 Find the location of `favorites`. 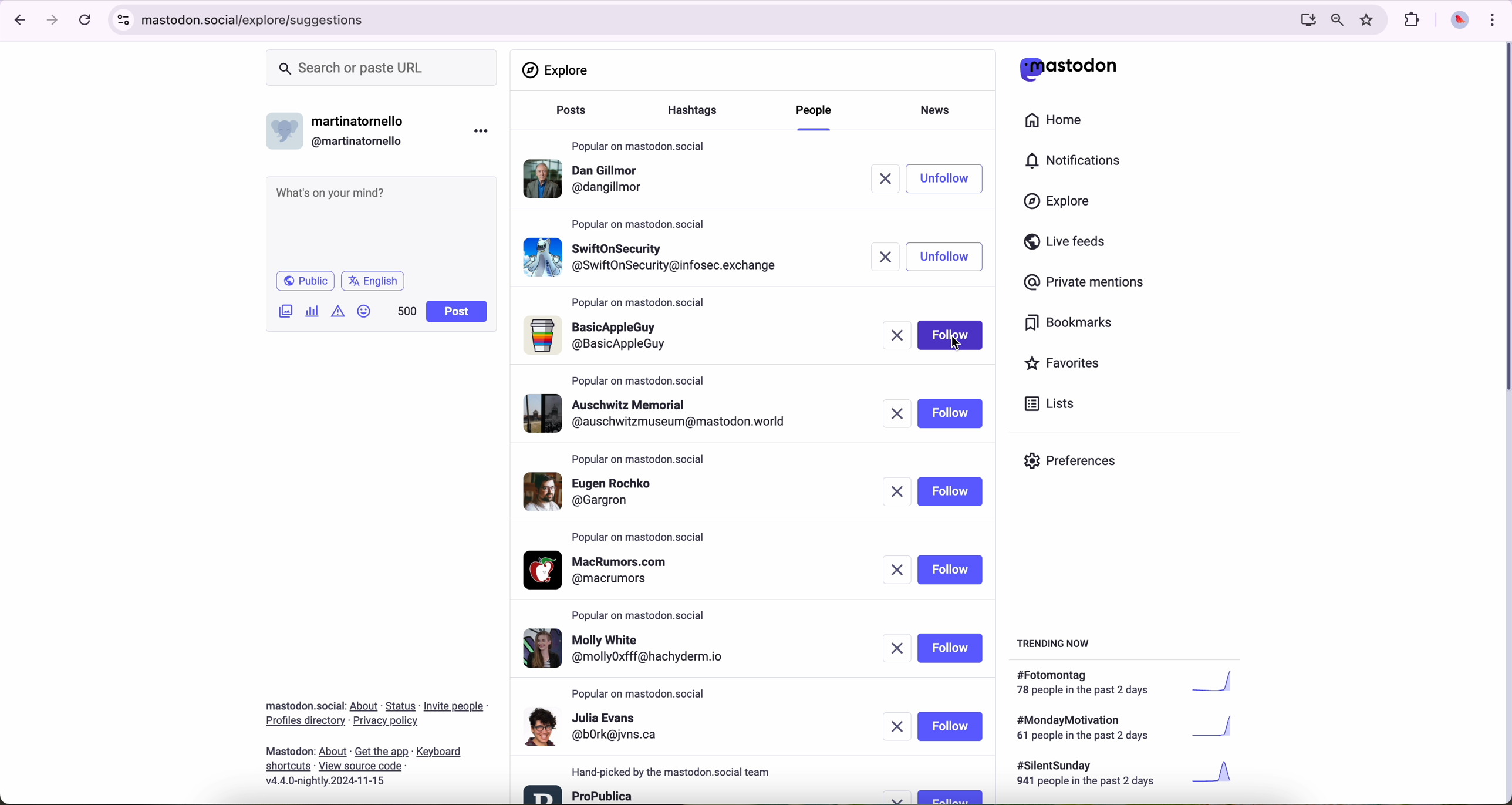

favorites is located at coordinates (1369, 20).